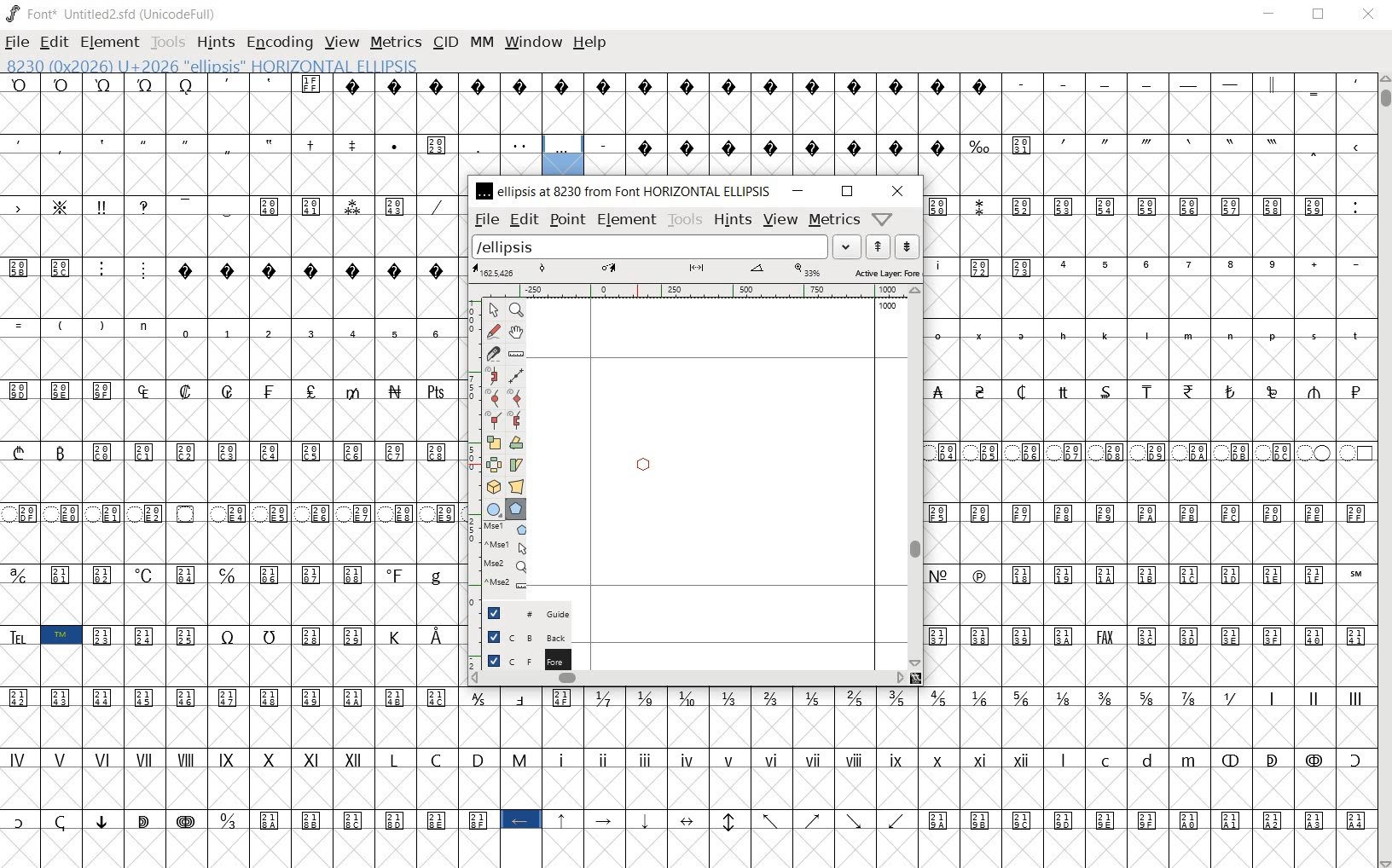 This screenshot has width=1392, height=868. Describe the element at coordinates (779, 219) in the screenshot. I see `` at that location.